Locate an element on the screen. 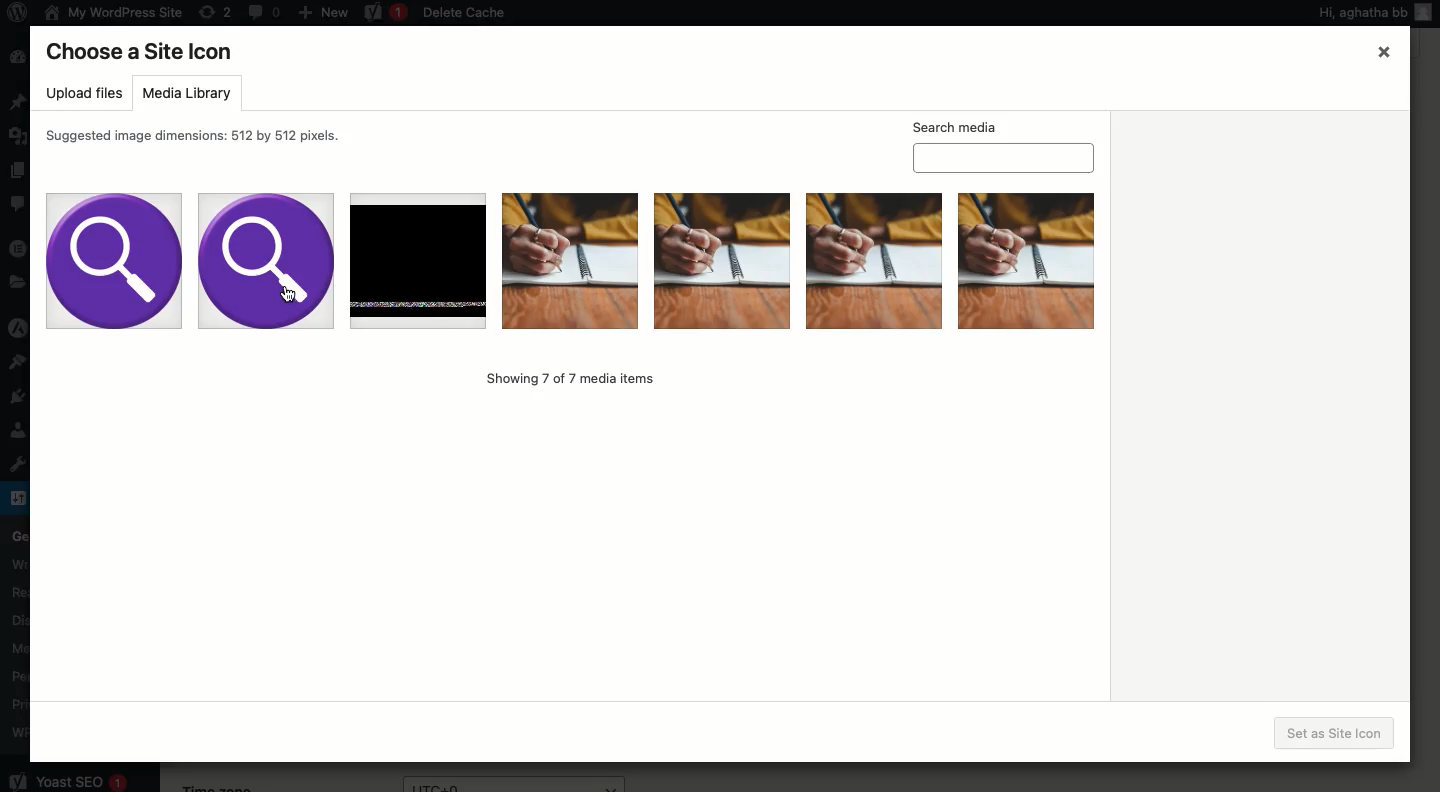 This screenshot has width=1440, height=792. Reading is located at coordinates (21, 589).